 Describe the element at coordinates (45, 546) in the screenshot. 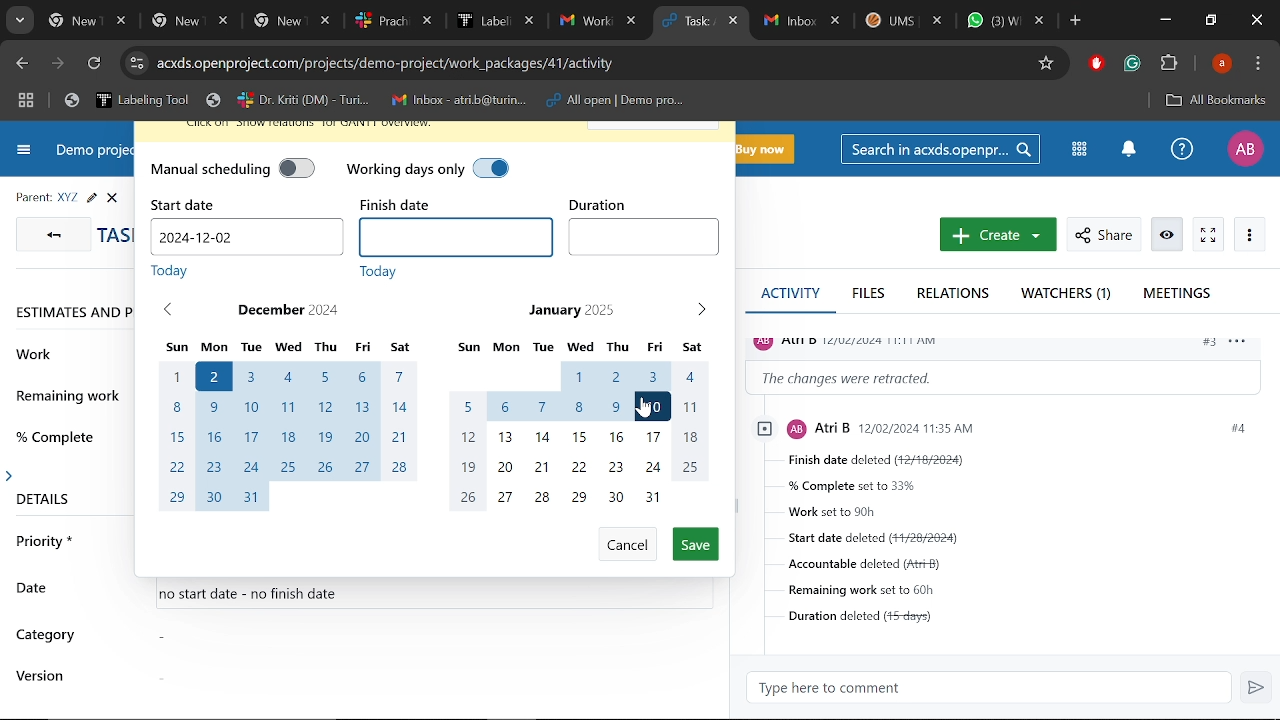

I see `priority` at that location.